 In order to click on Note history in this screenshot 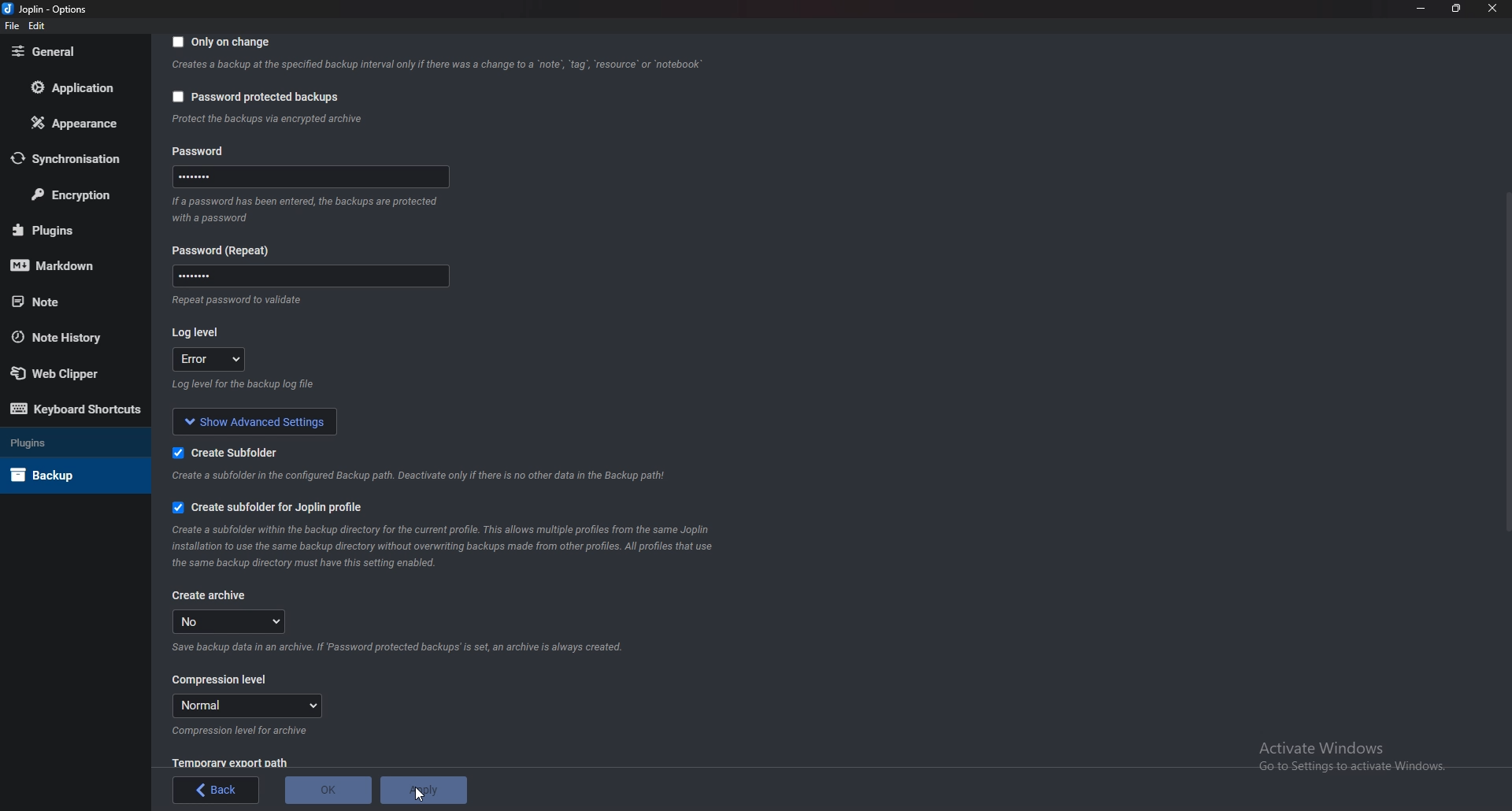, I will do `click(69, 336)`.